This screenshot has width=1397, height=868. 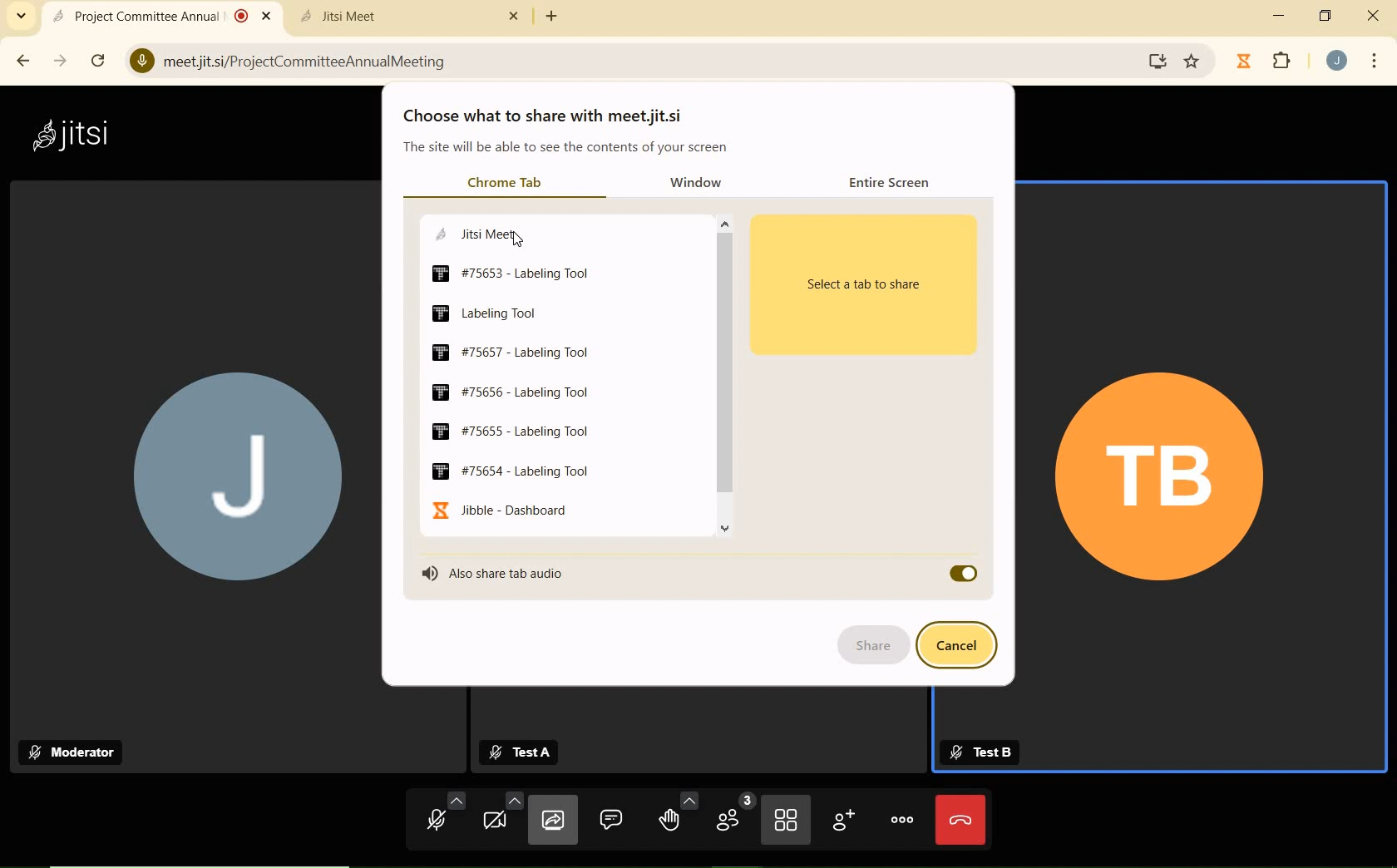 I want to click on #75653 - Labeling Tool, so click(x=516, y=273).